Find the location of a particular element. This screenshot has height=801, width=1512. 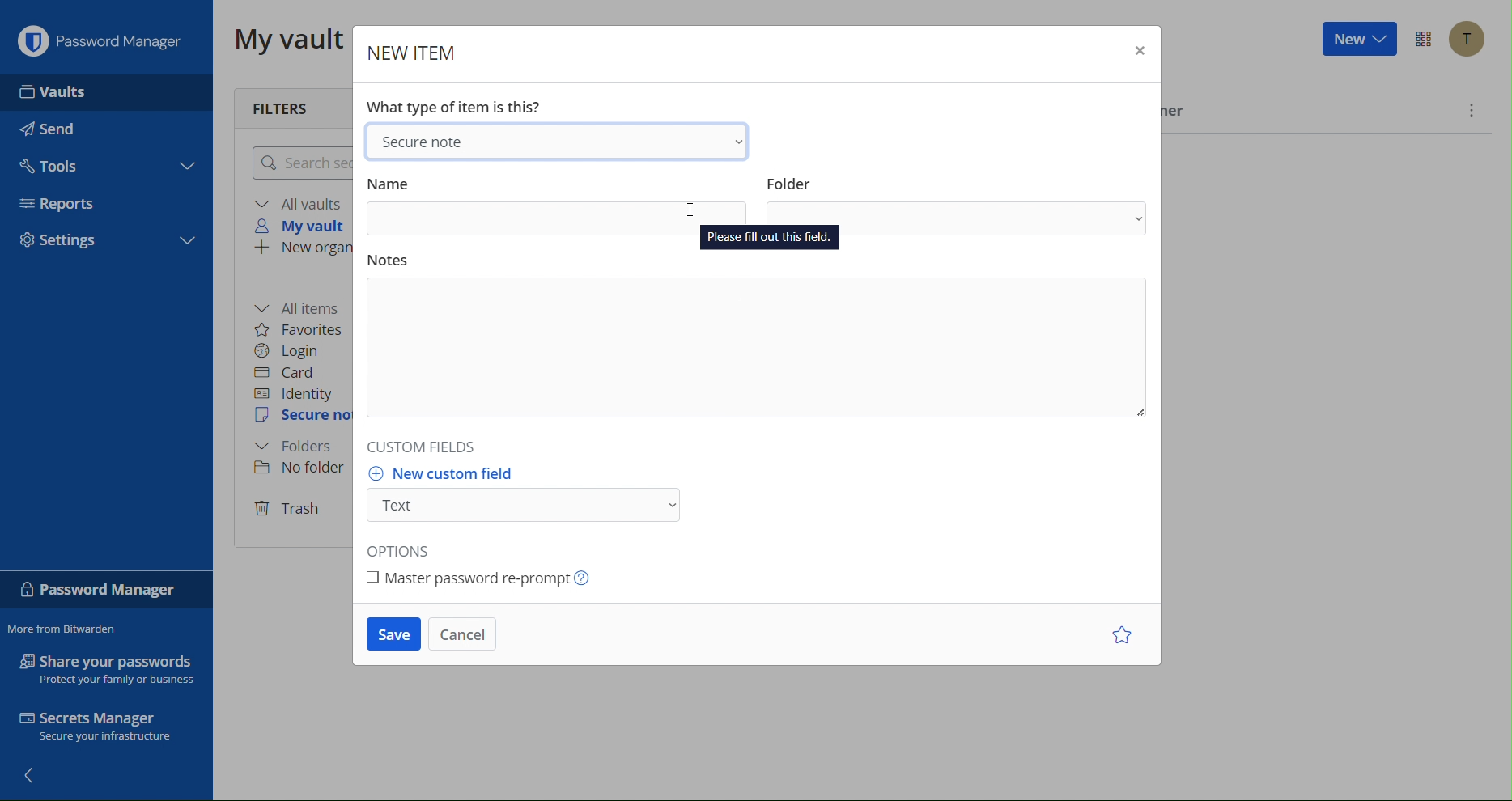

Save is located at coordinates (393, 638).